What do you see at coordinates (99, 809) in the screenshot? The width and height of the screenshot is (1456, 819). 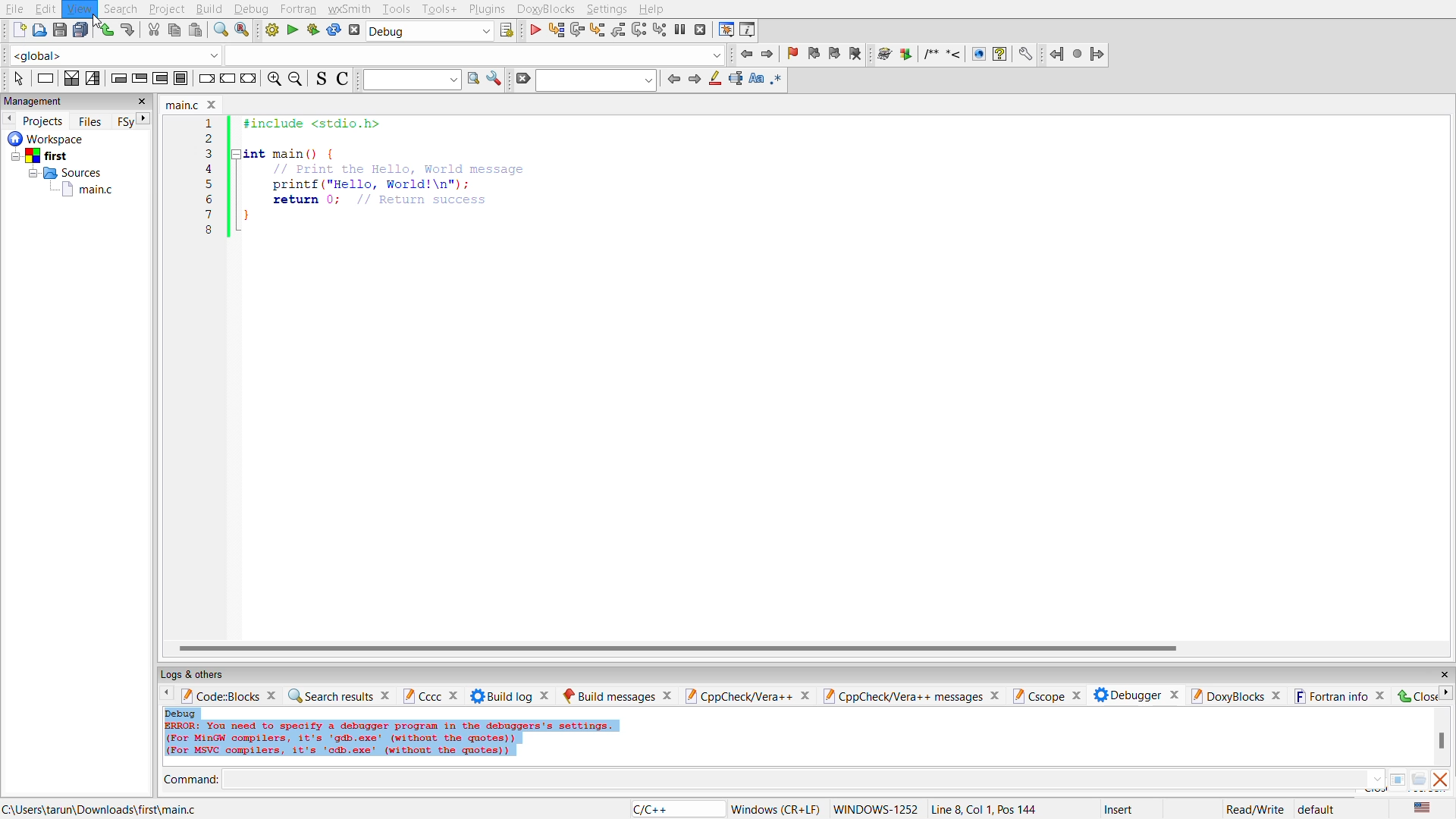 I see `file location` at bounding box center [99, 809].